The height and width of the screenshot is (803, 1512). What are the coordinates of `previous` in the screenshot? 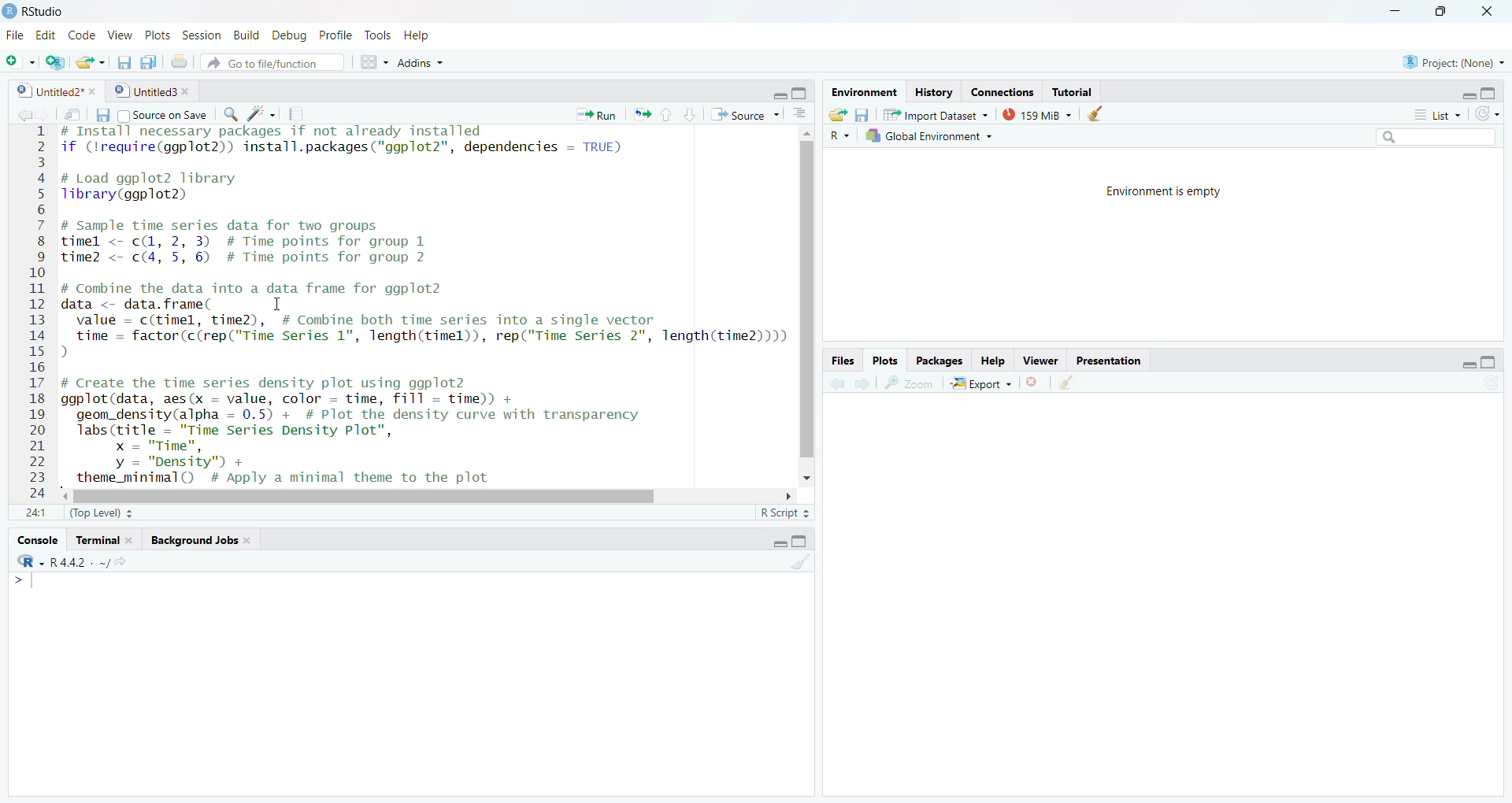 It's located at (836, 385).